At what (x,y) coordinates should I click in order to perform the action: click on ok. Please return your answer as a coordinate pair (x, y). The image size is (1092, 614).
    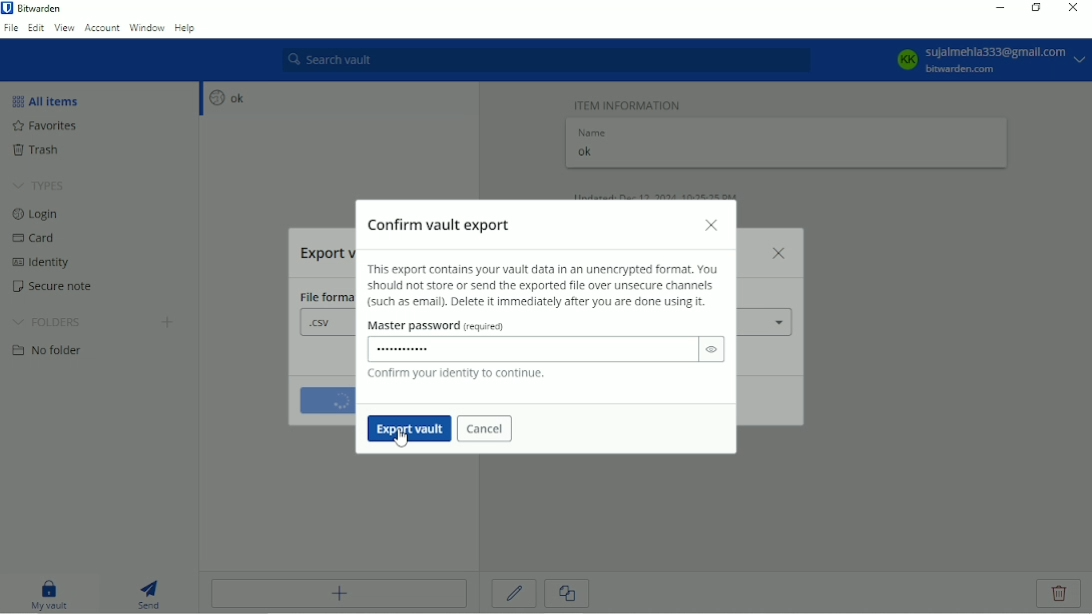
    Looking at the image, I should click on (224, 98).